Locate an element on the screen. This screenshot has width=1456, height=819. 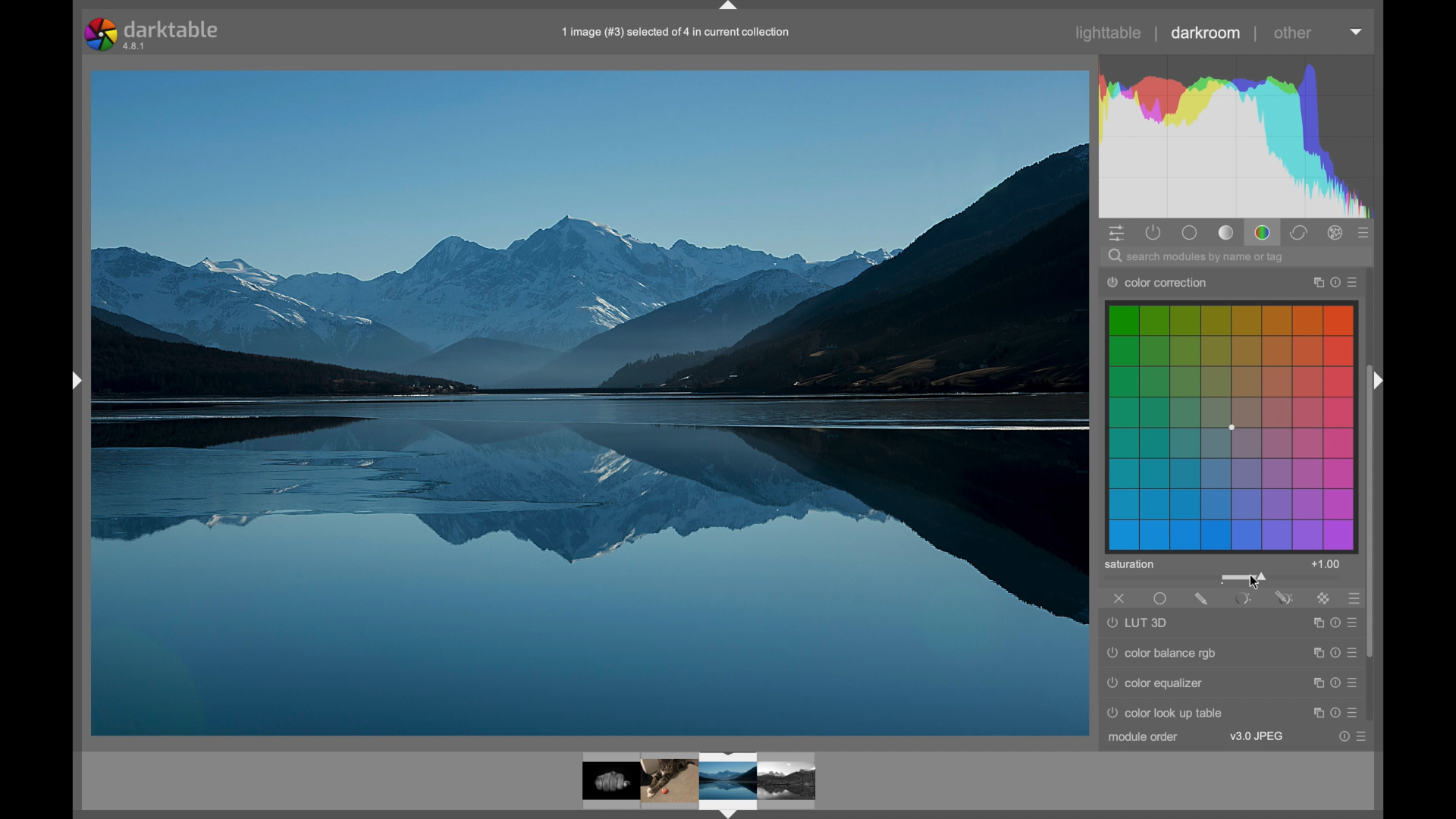
color equalizer is located at coordinates (1159, 686).